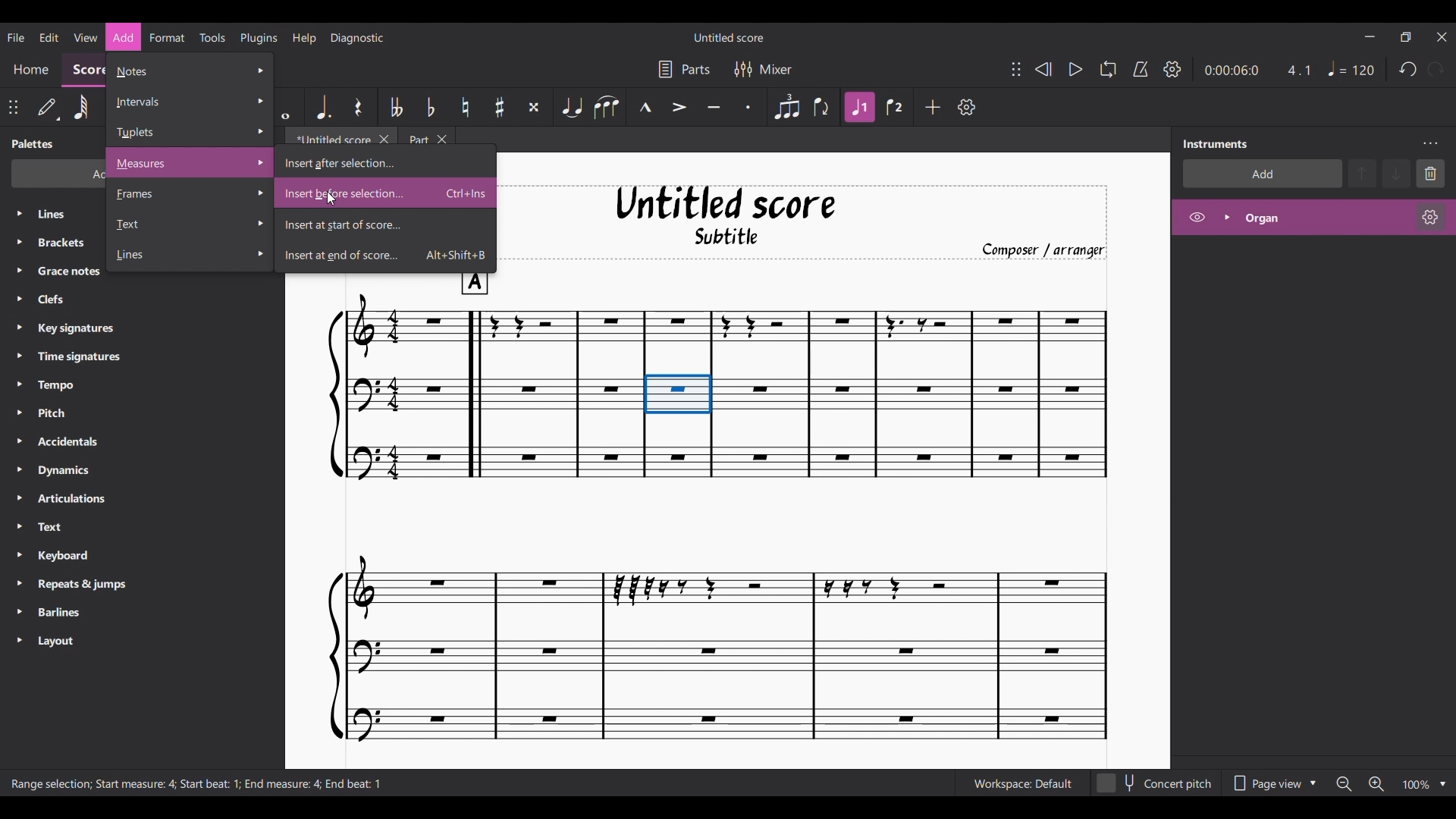  What do you see at coordinates (334, 199) in the screenshot?
I see `cursor` at bounding box center [334, 199].